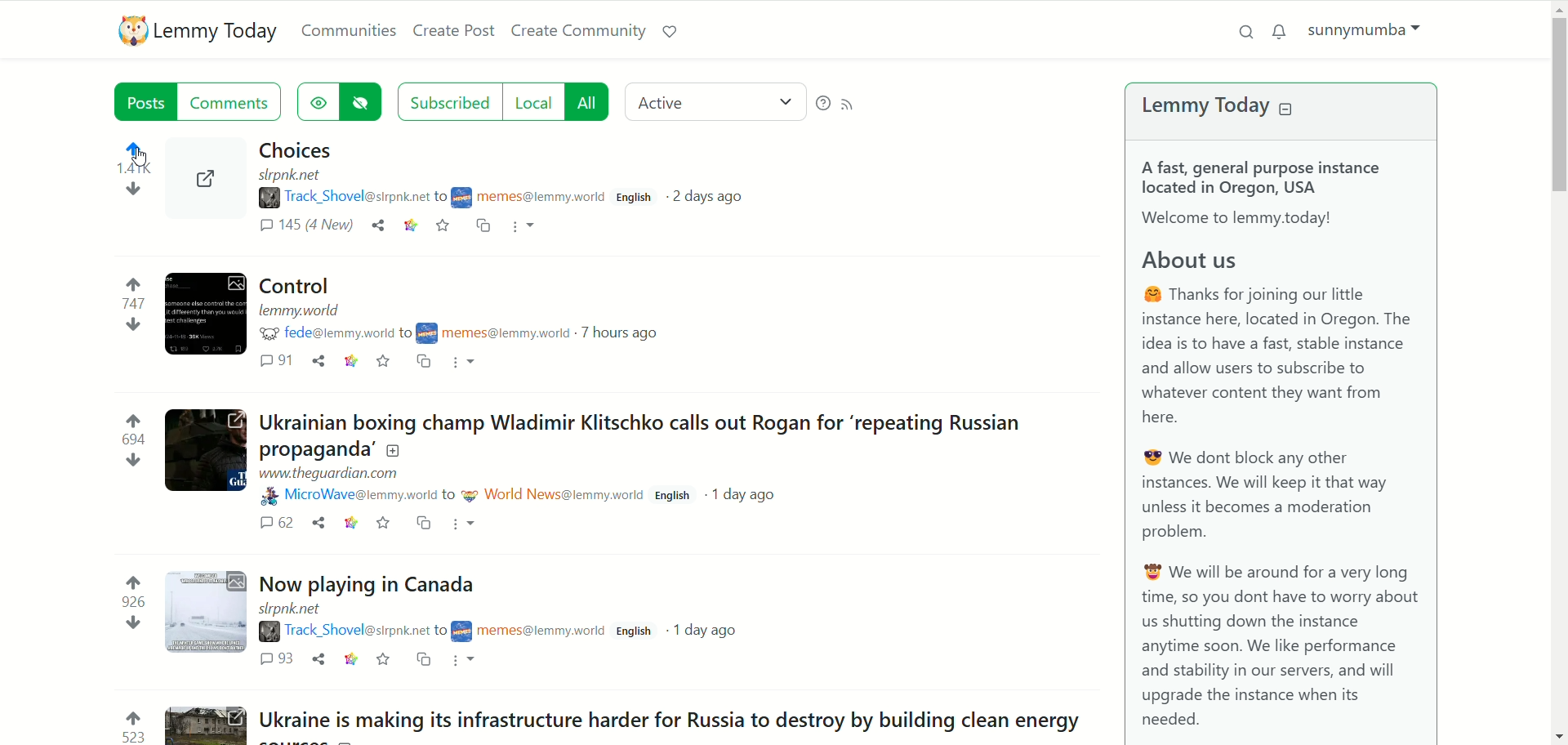 Image resolution: width=1568 pixels, height=745 pixels. Describe the element at coordinates (387, 661) in the screenshot. I see `save` at that location.